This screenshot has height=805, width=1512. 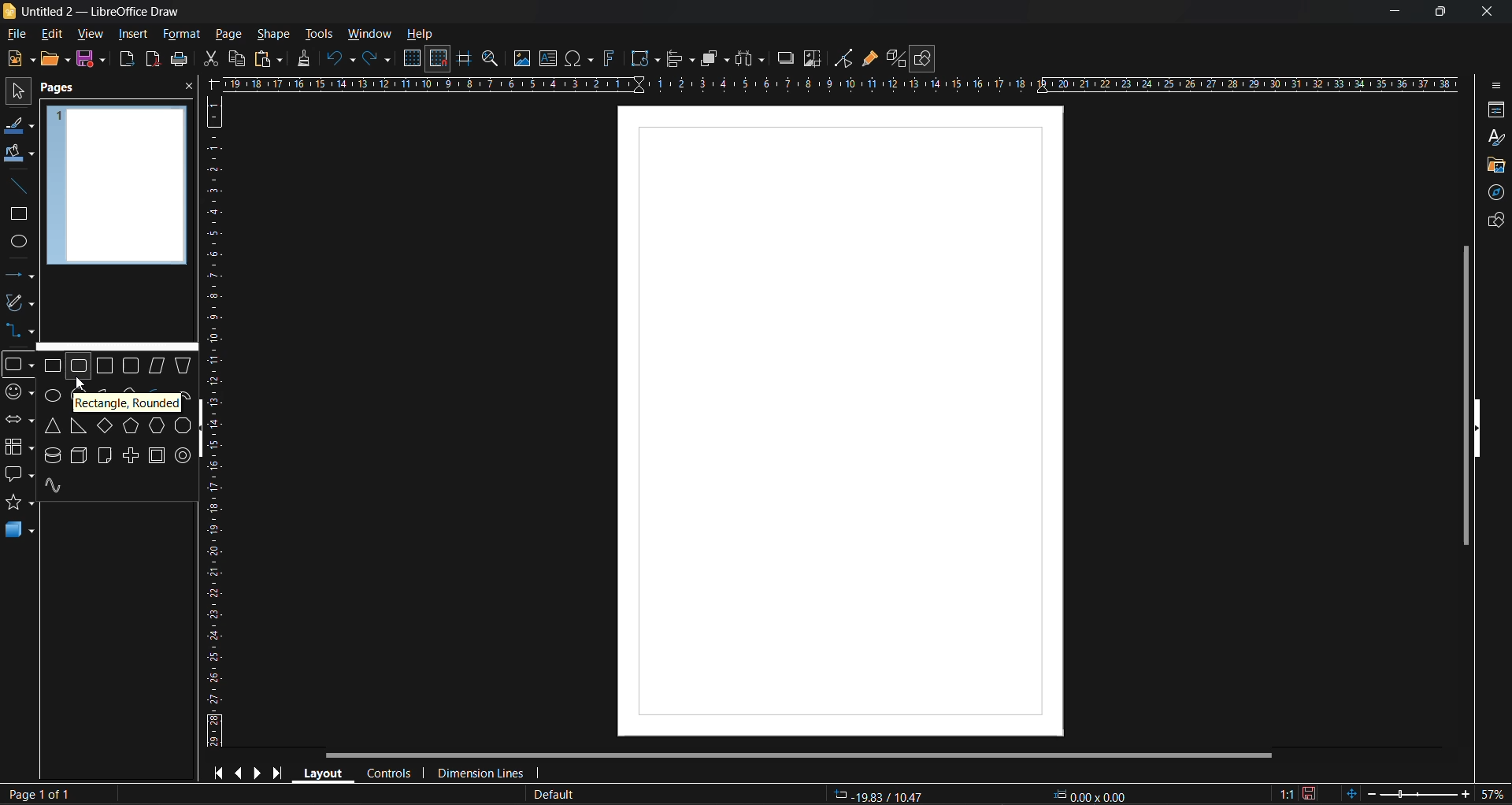 What do you see at coordinates (55, 486) in the screenshot?
I see `sinusoid` at bounding box center [55, 486].